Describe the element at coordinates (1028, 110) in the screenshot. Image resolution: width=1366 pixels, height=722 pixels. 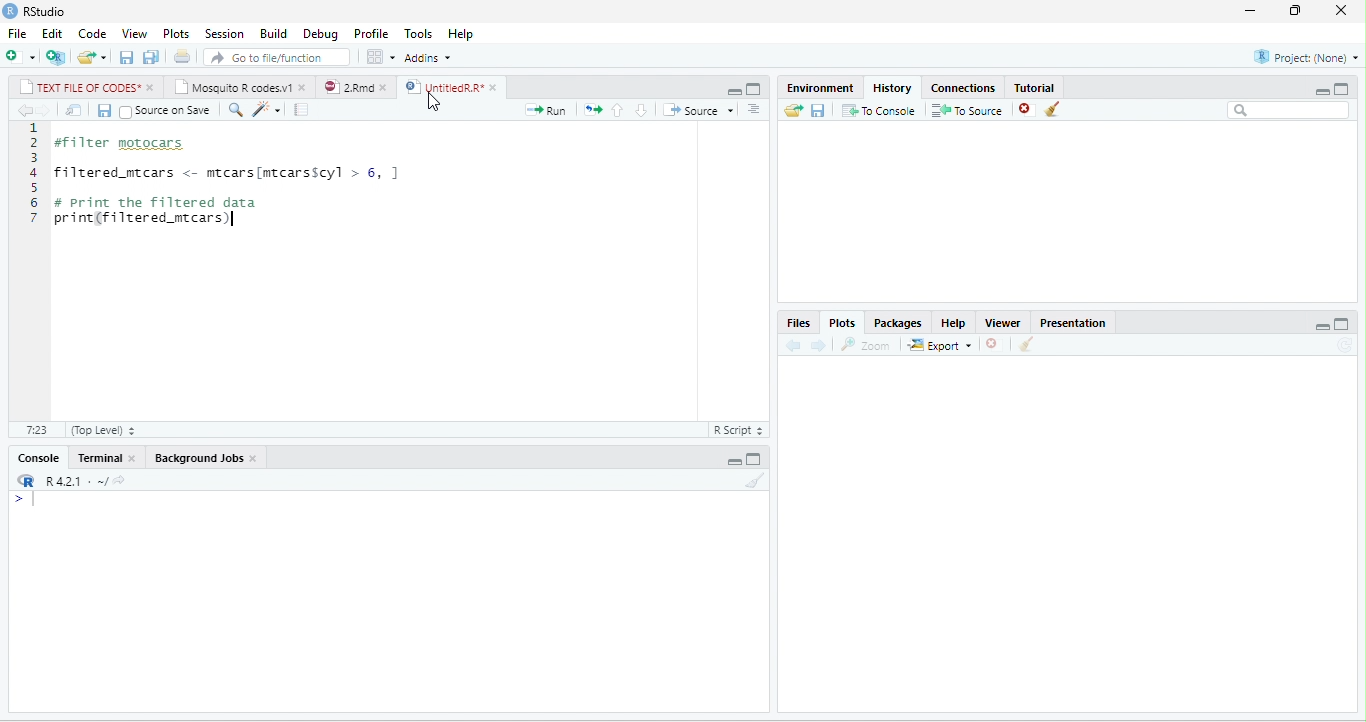
I see `close file` at that location.